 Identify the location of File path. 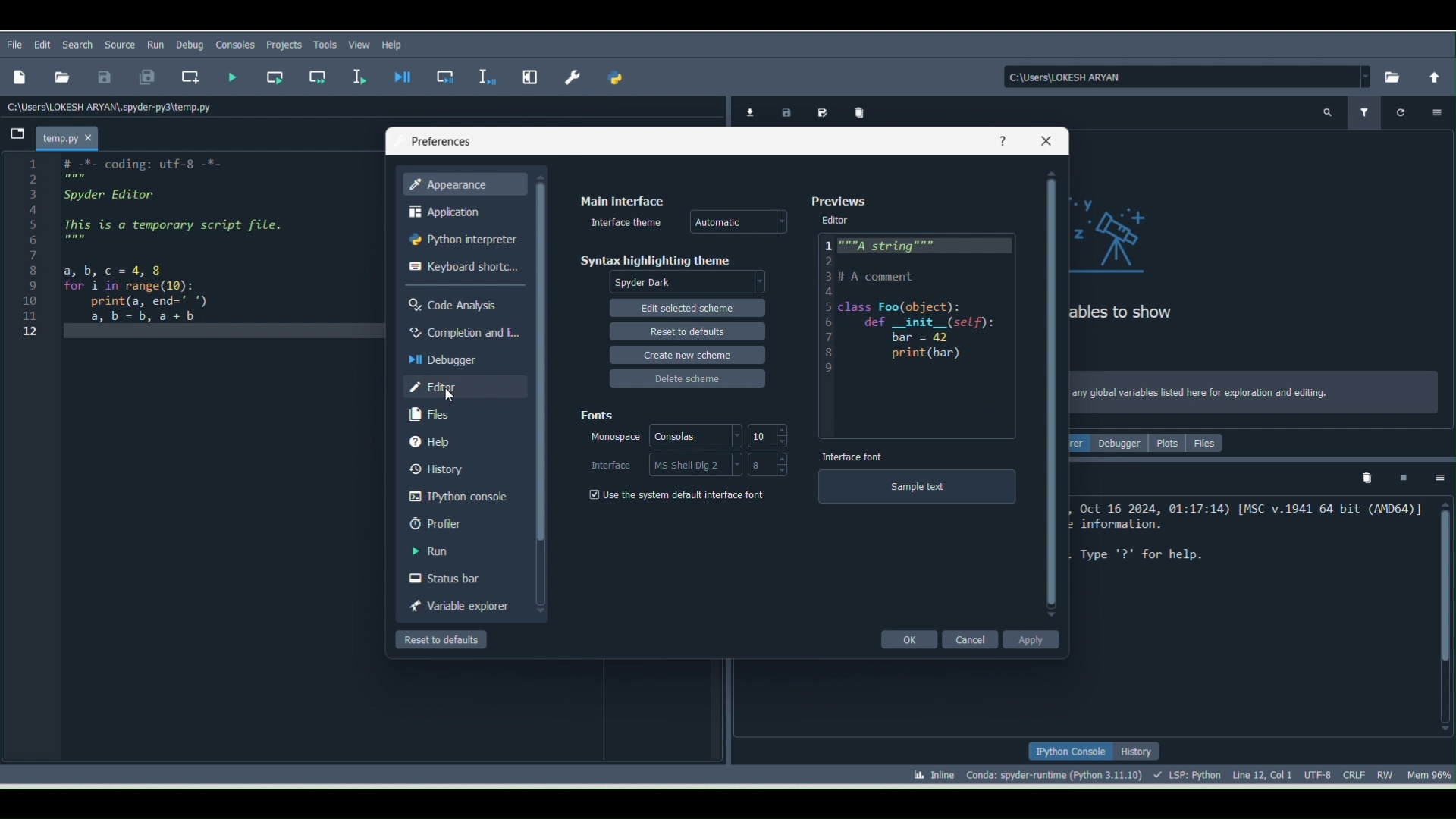
(1188, 77).